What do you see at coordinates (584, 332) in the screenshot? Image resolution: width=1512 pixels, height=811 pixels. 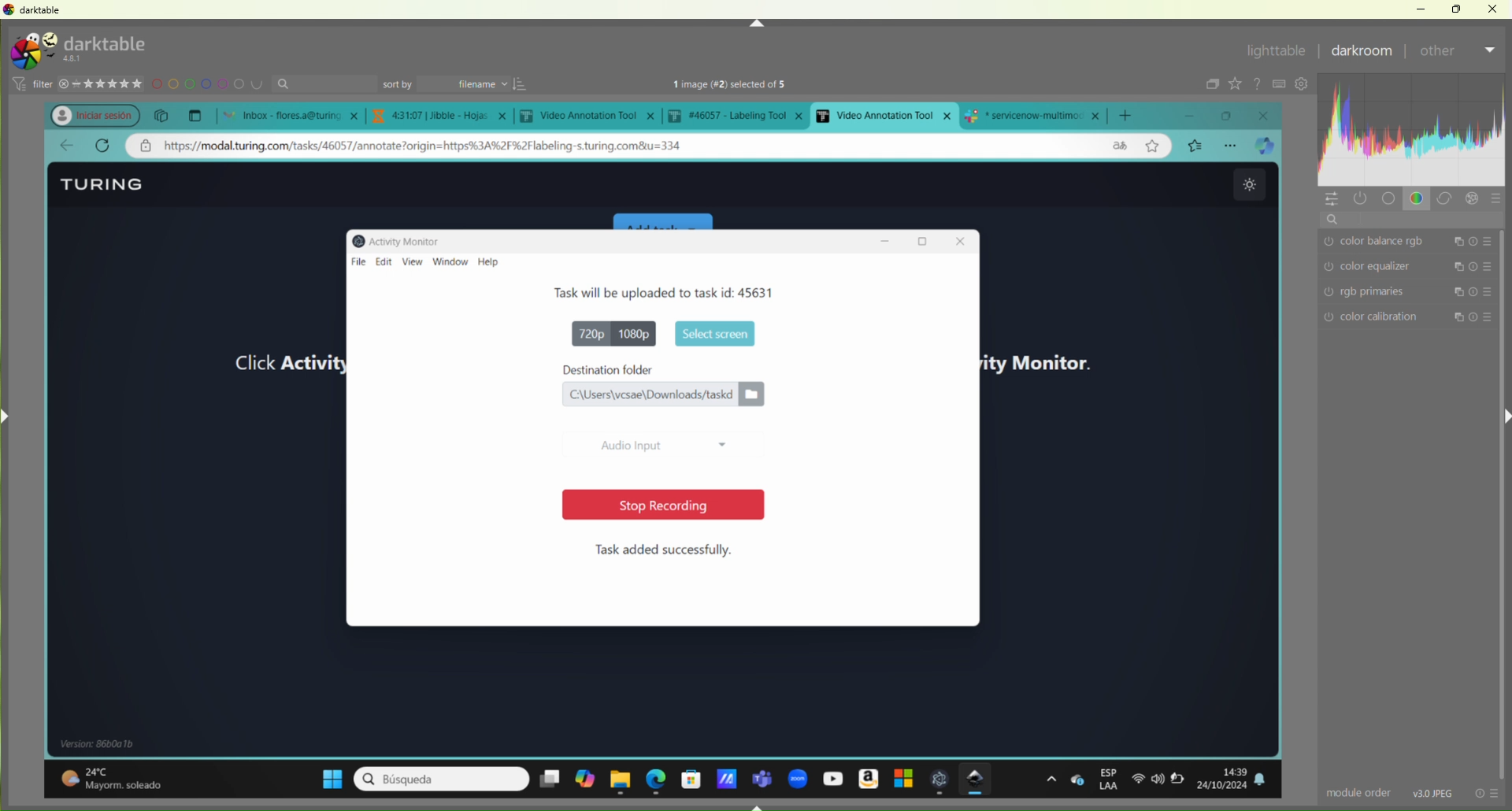 I see `720p` at bounding box center [584, 332].